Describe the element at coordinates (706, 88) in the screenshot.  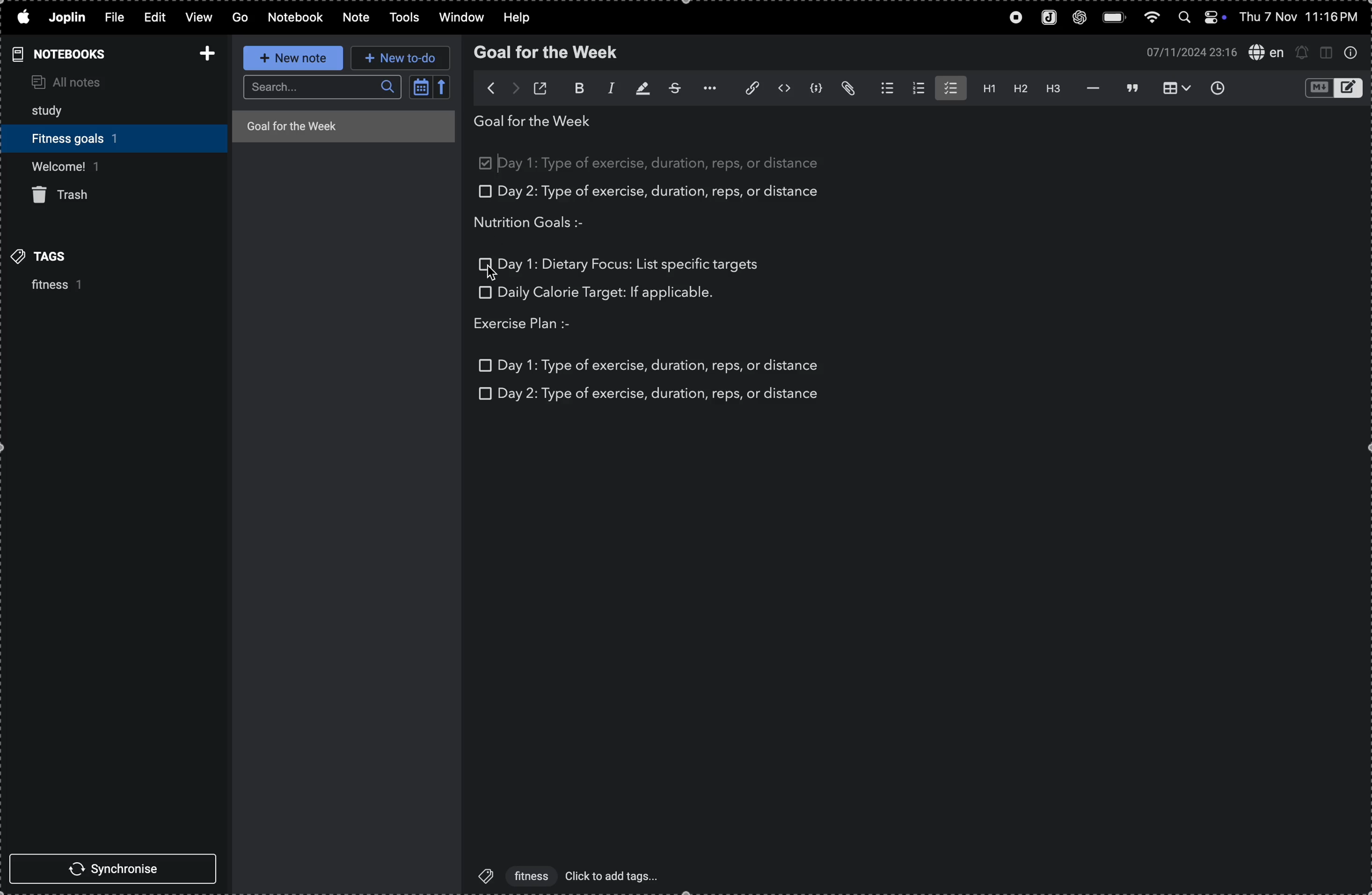
I see `options` at that location.